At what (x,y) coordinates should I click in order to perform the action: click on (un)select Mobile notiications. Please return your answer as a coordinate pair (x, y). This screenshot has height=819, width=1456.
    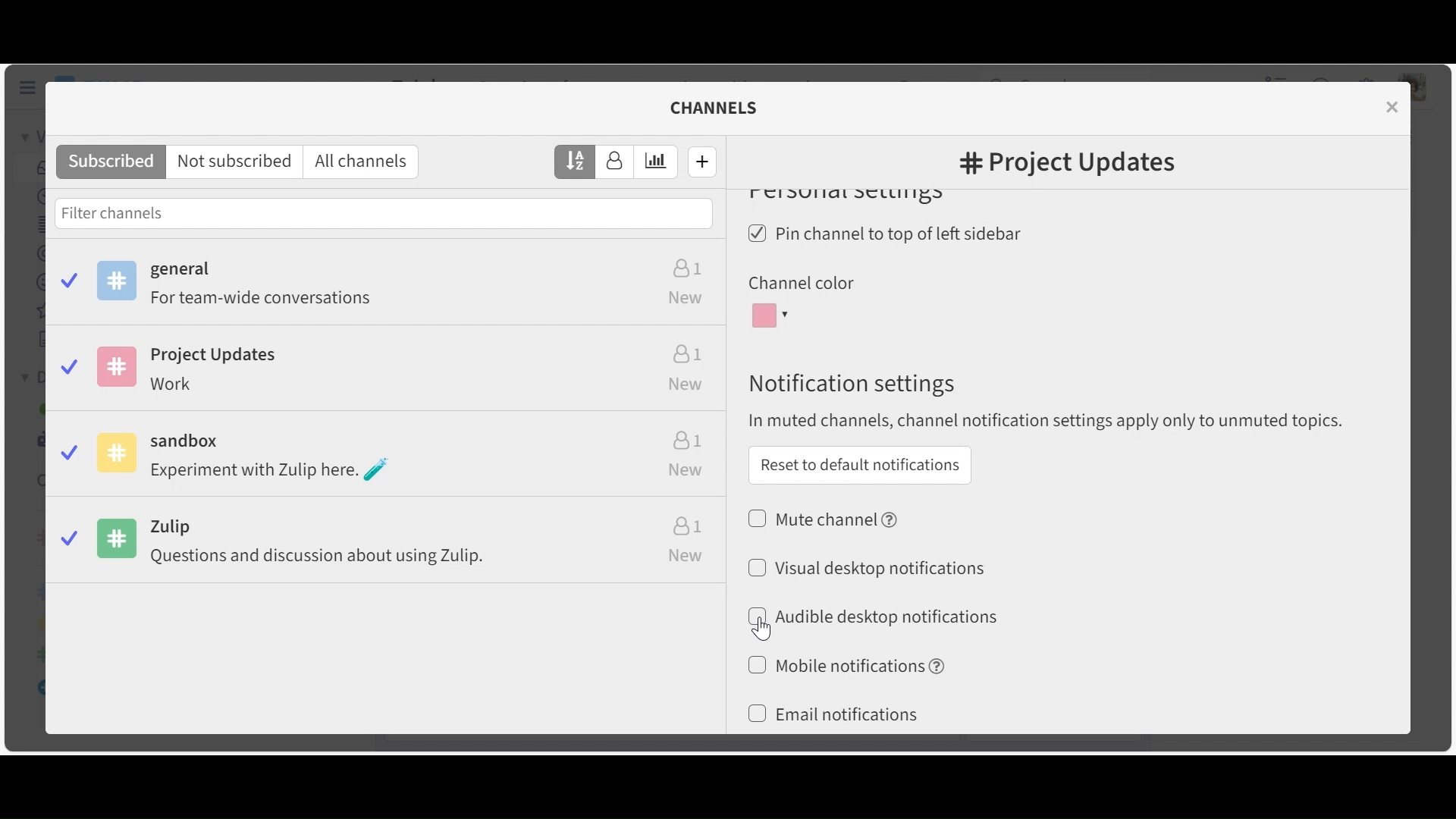
    Looking at the image, I should click on (845, 665).